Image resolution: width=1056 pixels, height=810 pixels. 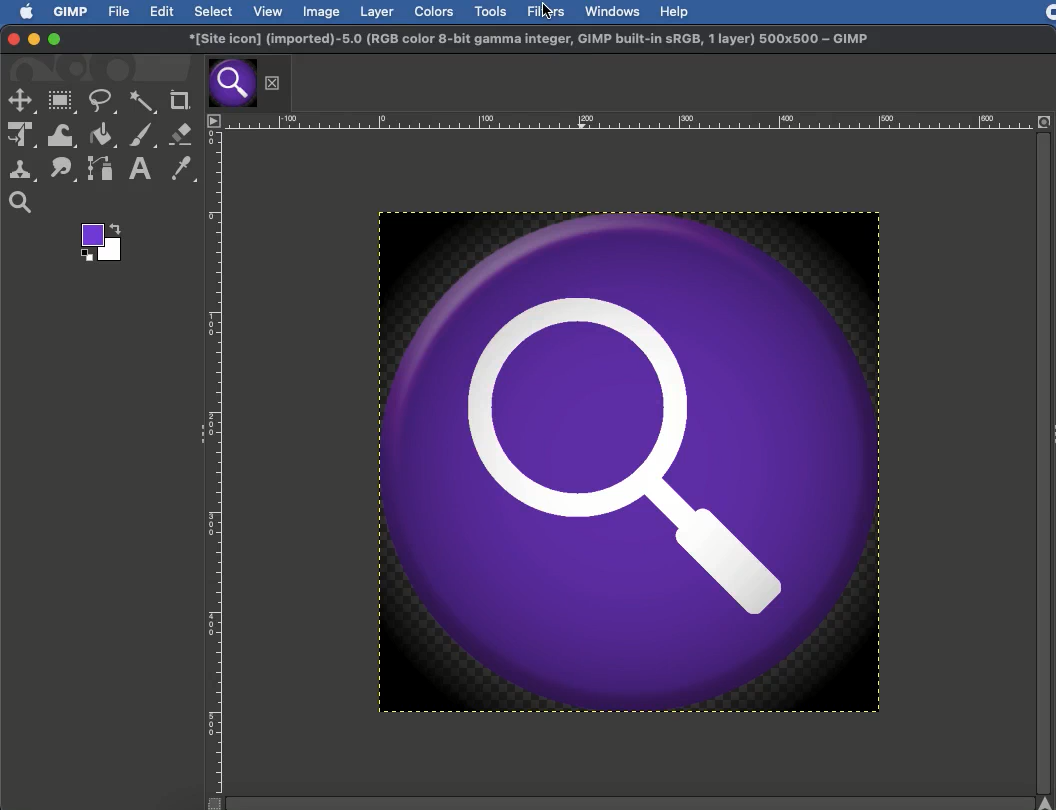 I want to click on Maximize, so click(x=53, y=40).